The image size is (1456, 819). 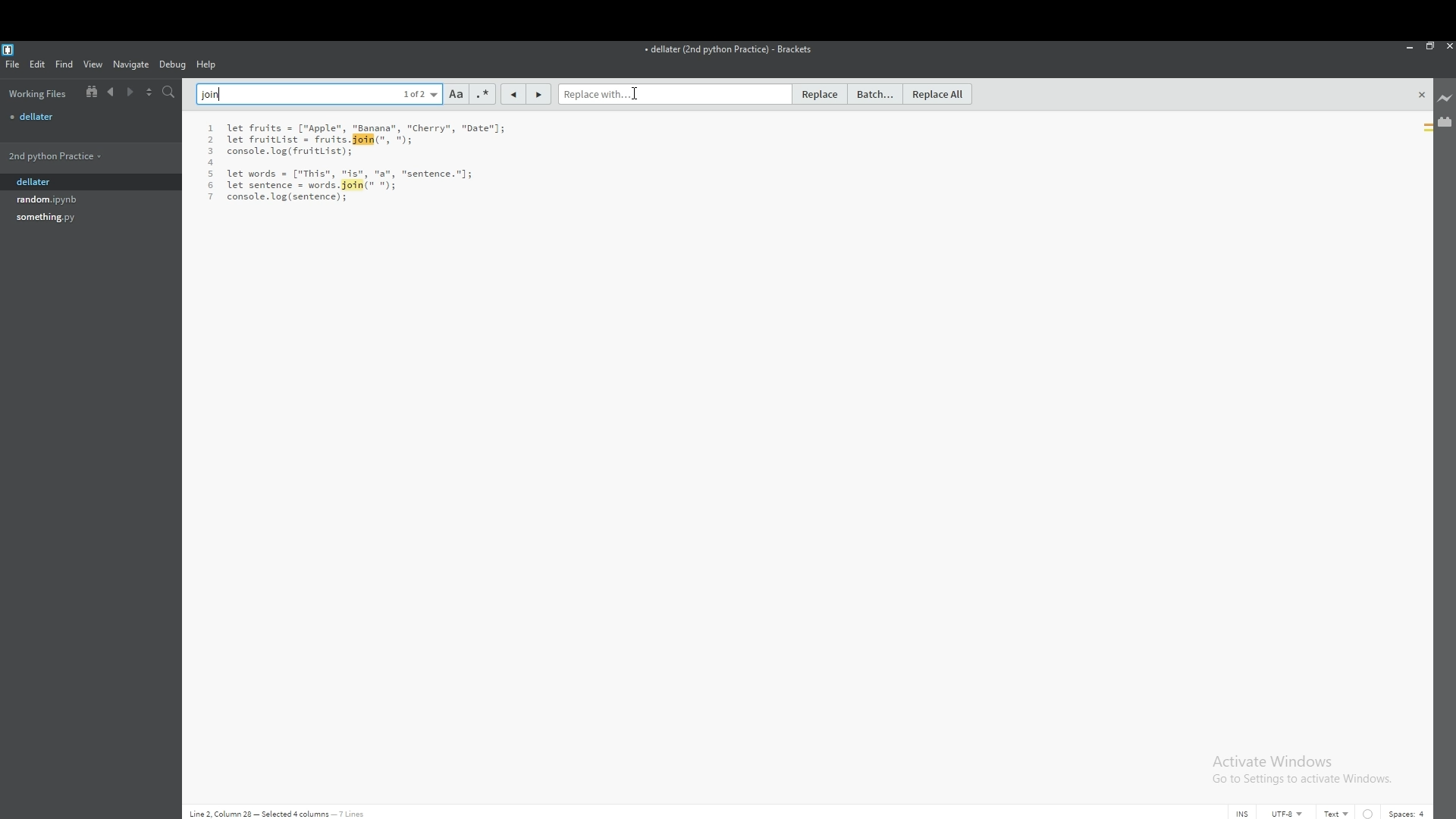 I want to click on help, so click(x=208, y=65).